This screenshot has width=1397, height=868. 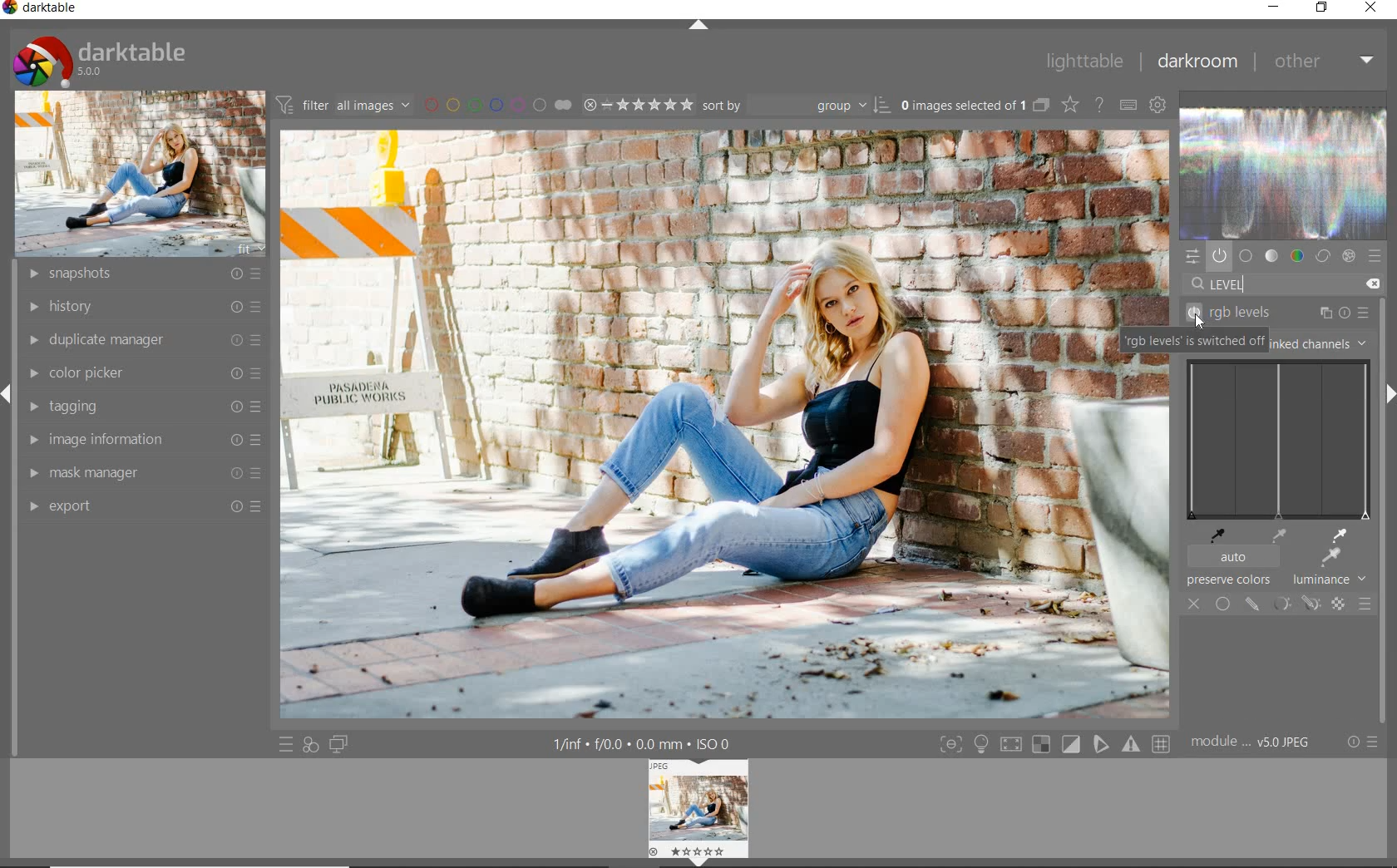 What do you see at coordinates (1090, 61) in the screenshot?
I see `lighttable` at bounding box center [1090, 61].